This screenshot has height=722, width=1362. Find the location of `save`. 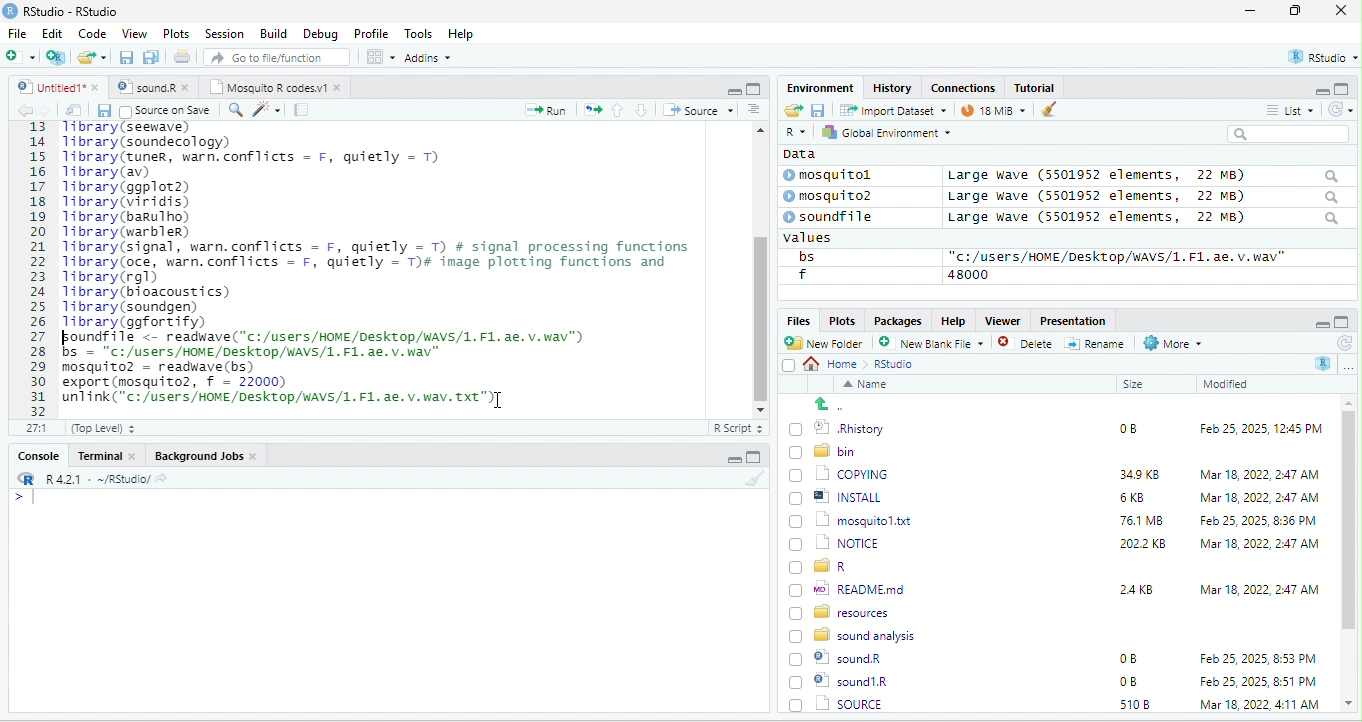

save is located at coordinates (103, 110).